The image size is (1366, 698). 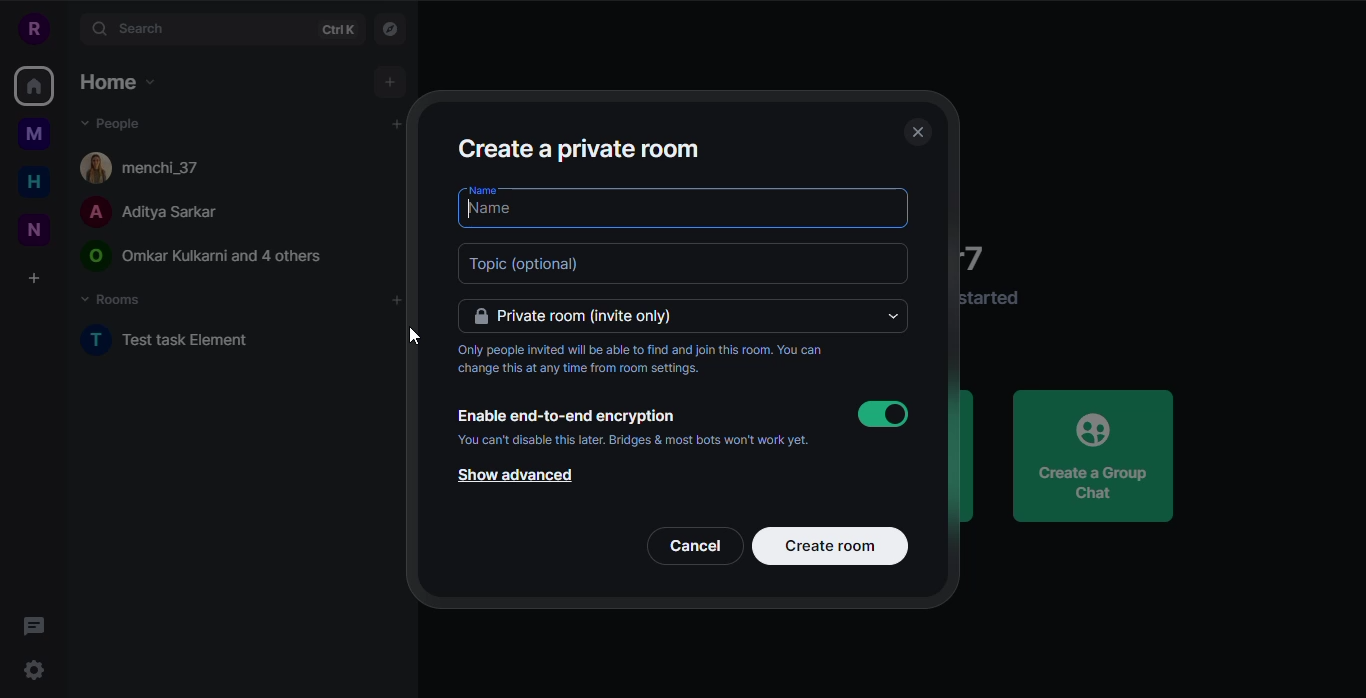 What do you see at coordinates (698, 546) in the screenshot?
I see `cancel` at bounding box center [698, 546].